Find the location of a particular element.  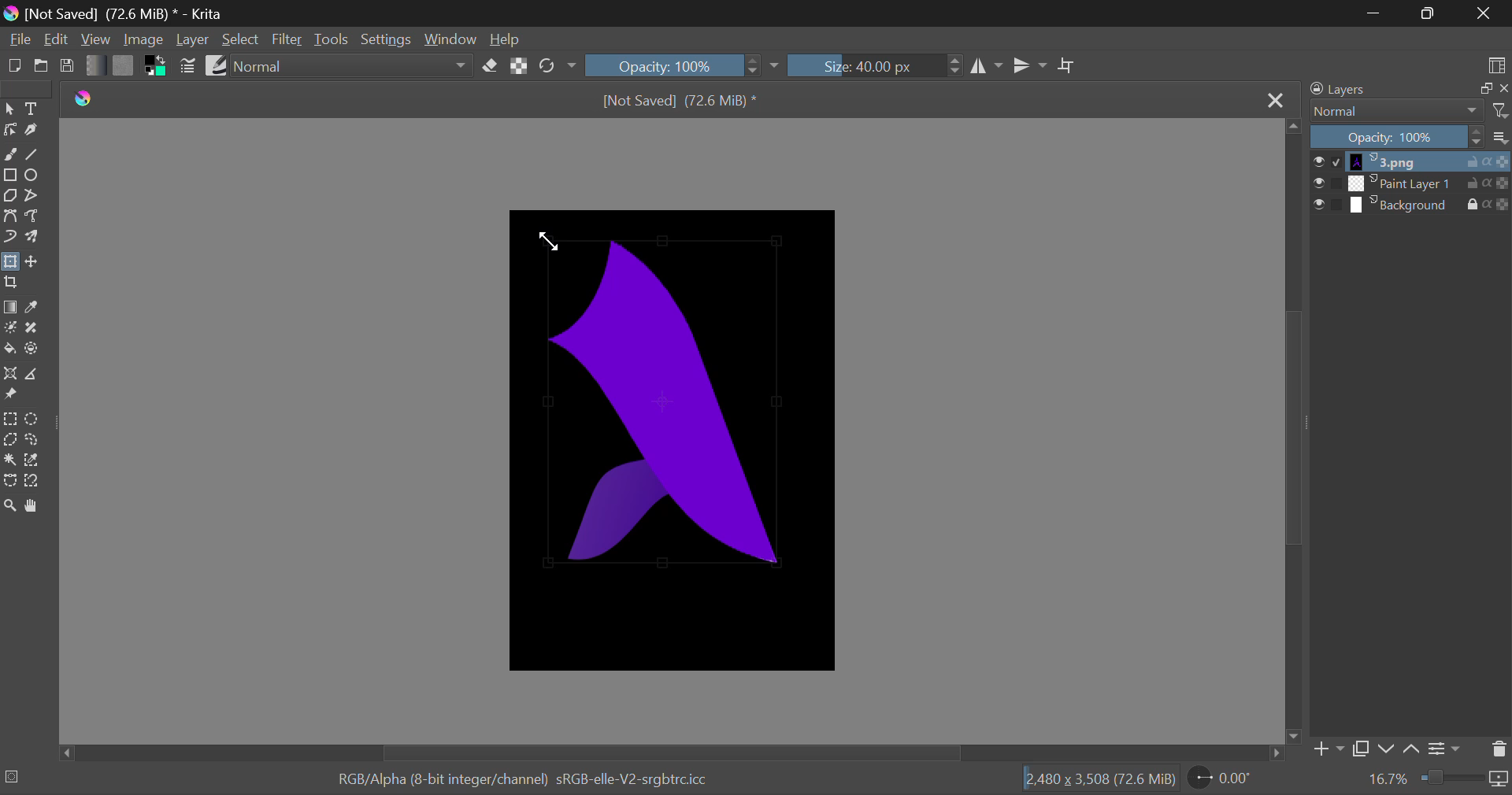

filter is located at coordinates (1499, 113).